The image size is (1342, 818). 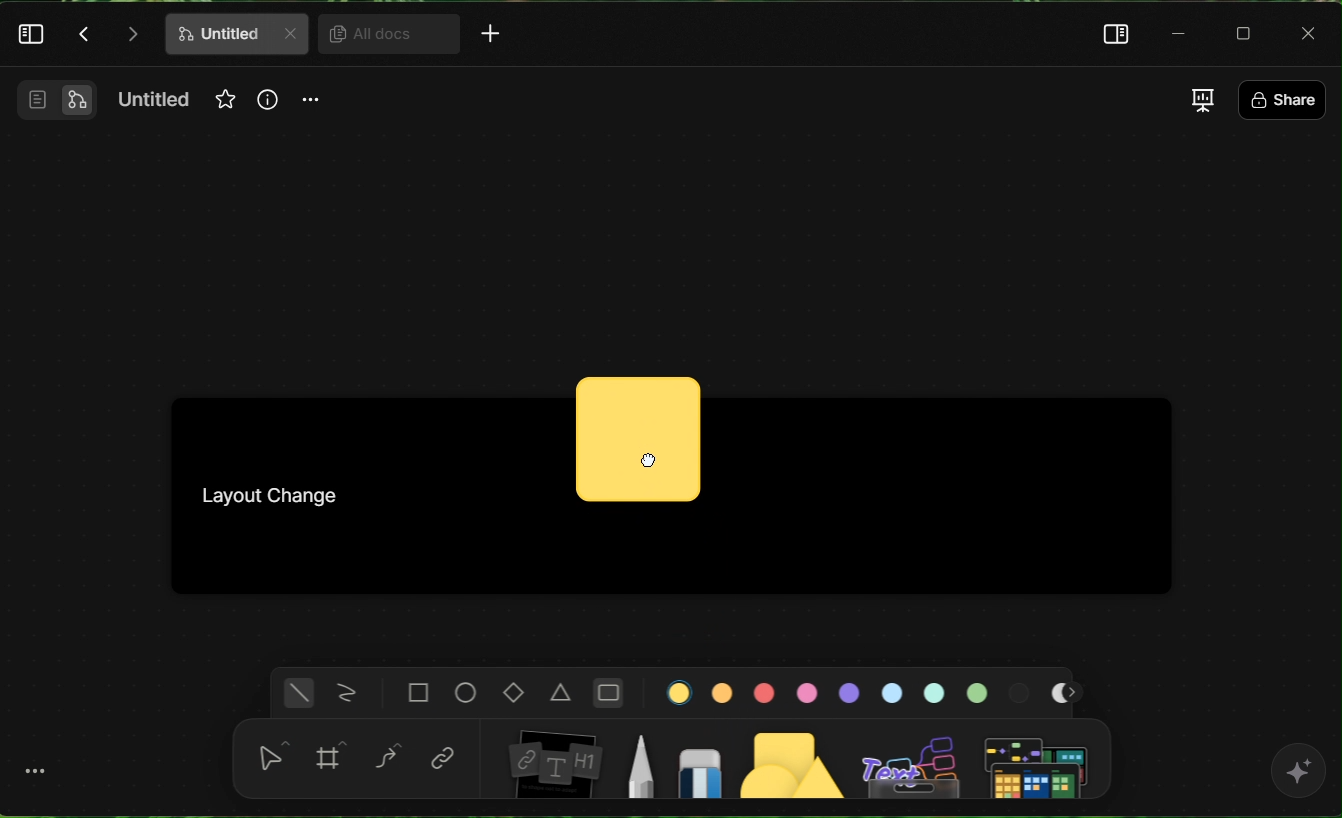 What do you see at coordinates (1311, 32) in the screenshot?
I see `Close` at bounding box center [1311, 32].